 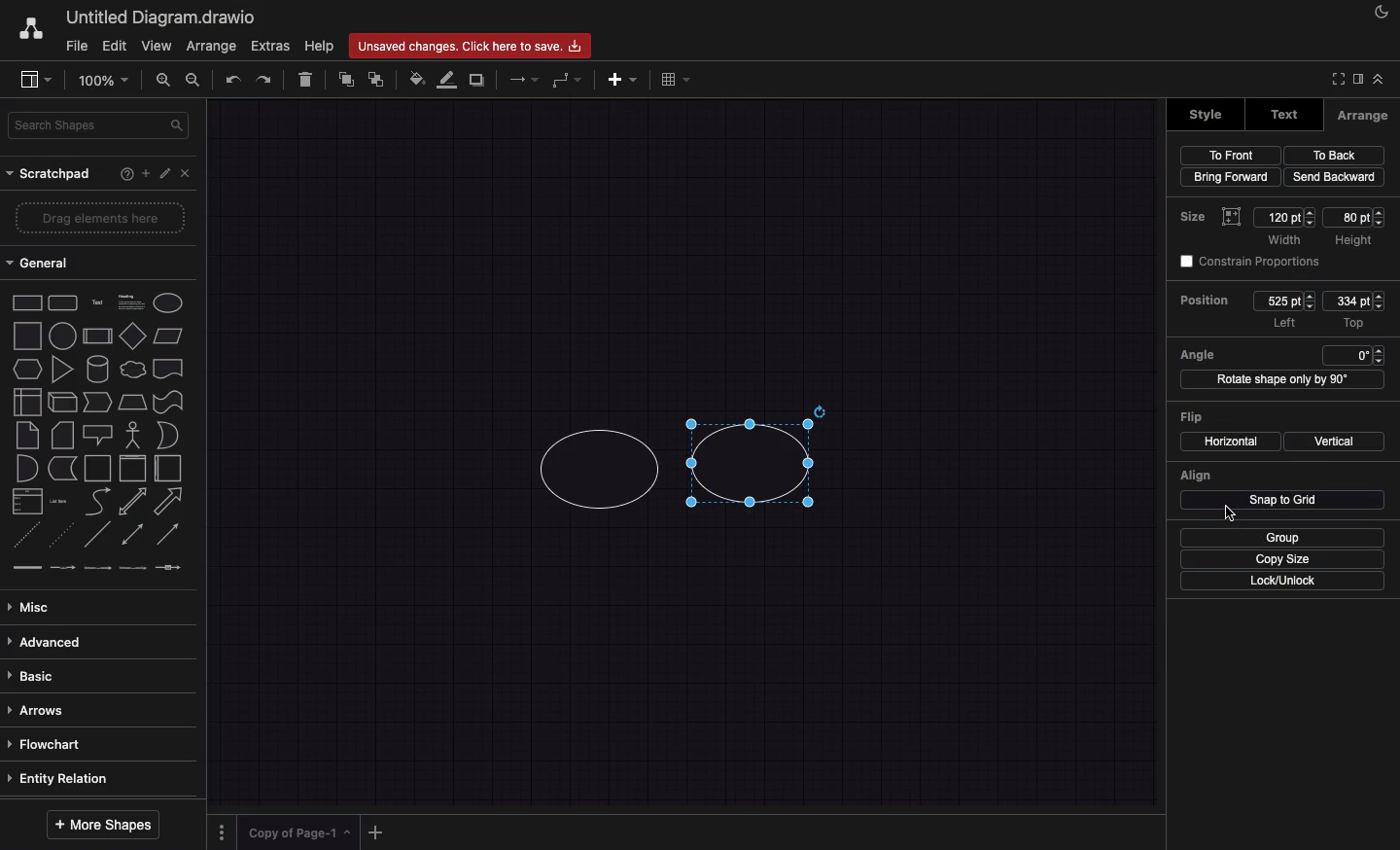 What do you see at coordinates (161, 18) in the screenshot?
I see `untitled diagram.drawio` at bounding box center [161, 18].